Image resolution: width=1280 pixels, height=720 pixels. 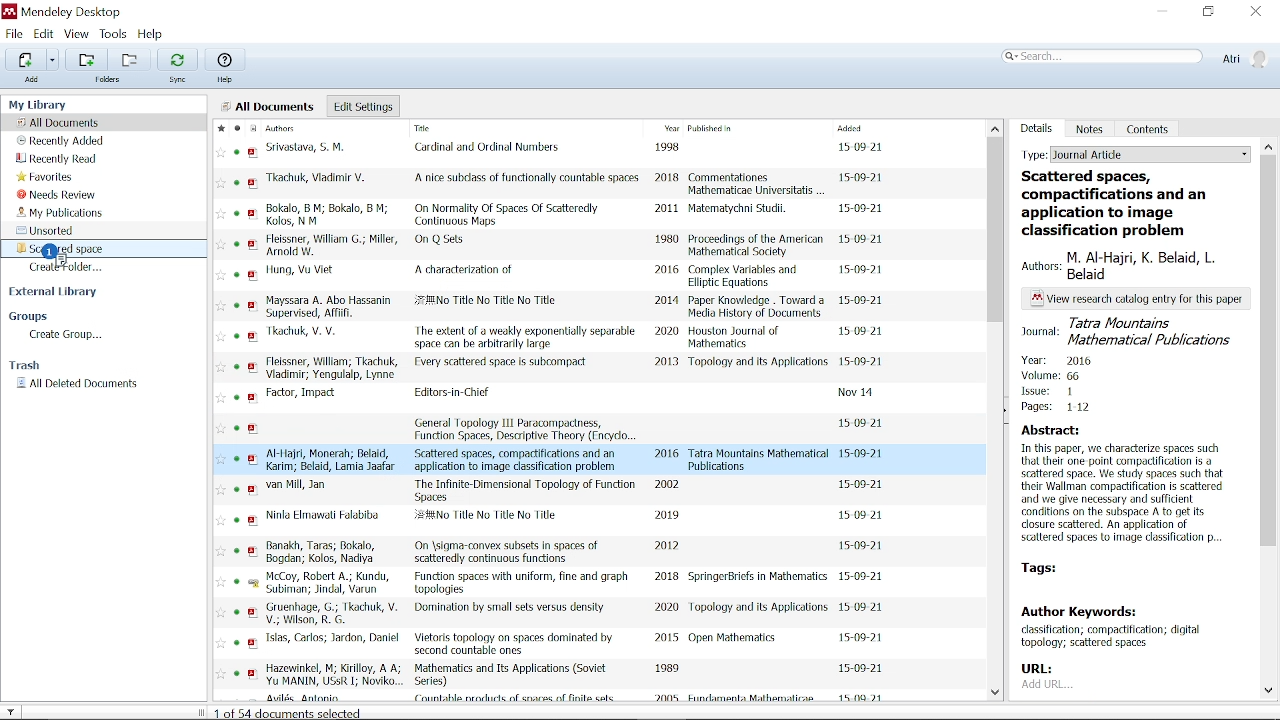 I want to click on Houston Journal of
Mathematics., so click(x=740, y=338).